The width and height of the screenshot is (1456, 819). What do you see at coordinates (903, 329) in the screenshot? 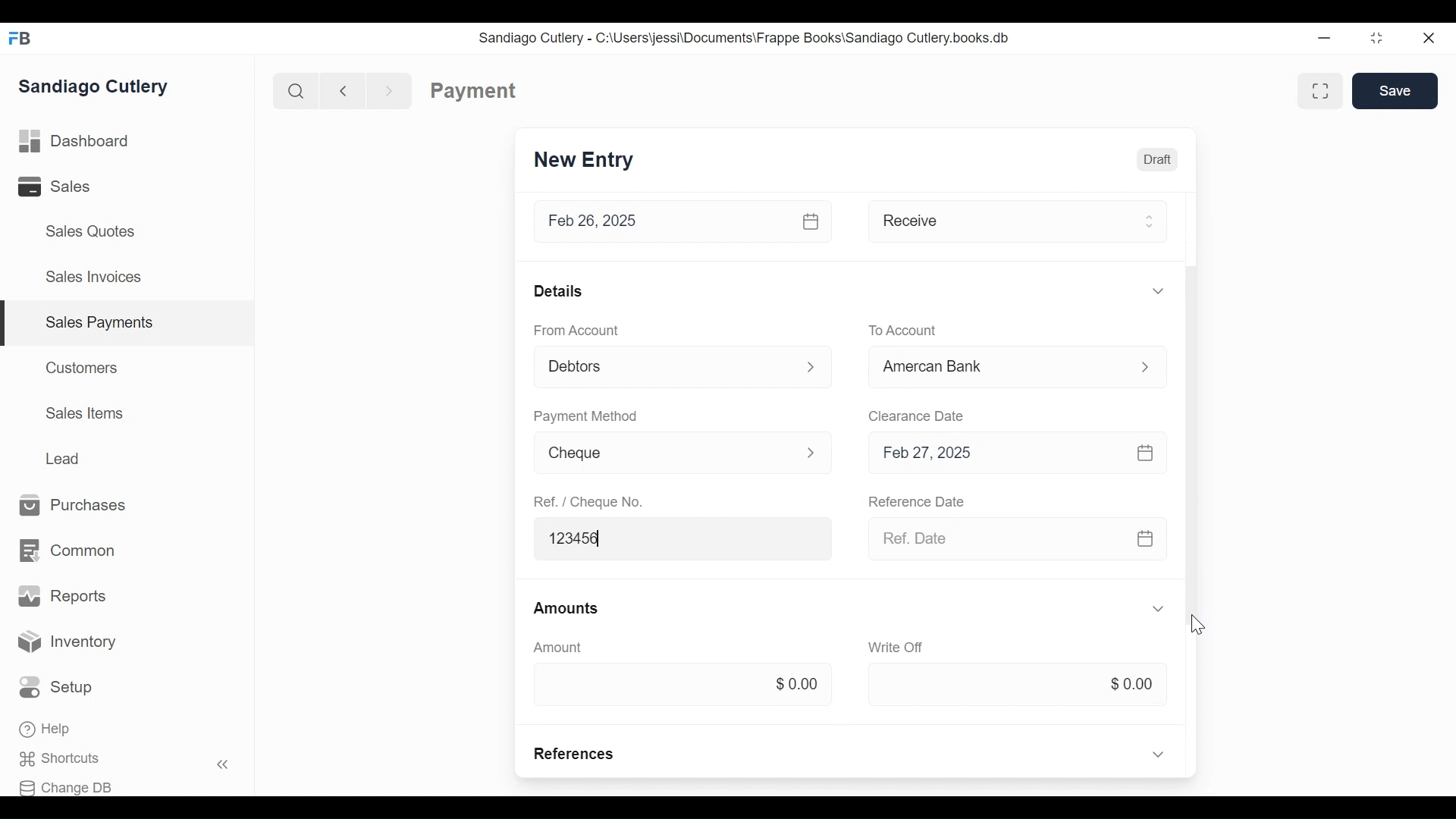
I see `To Account` at bounding box center [903, 329].